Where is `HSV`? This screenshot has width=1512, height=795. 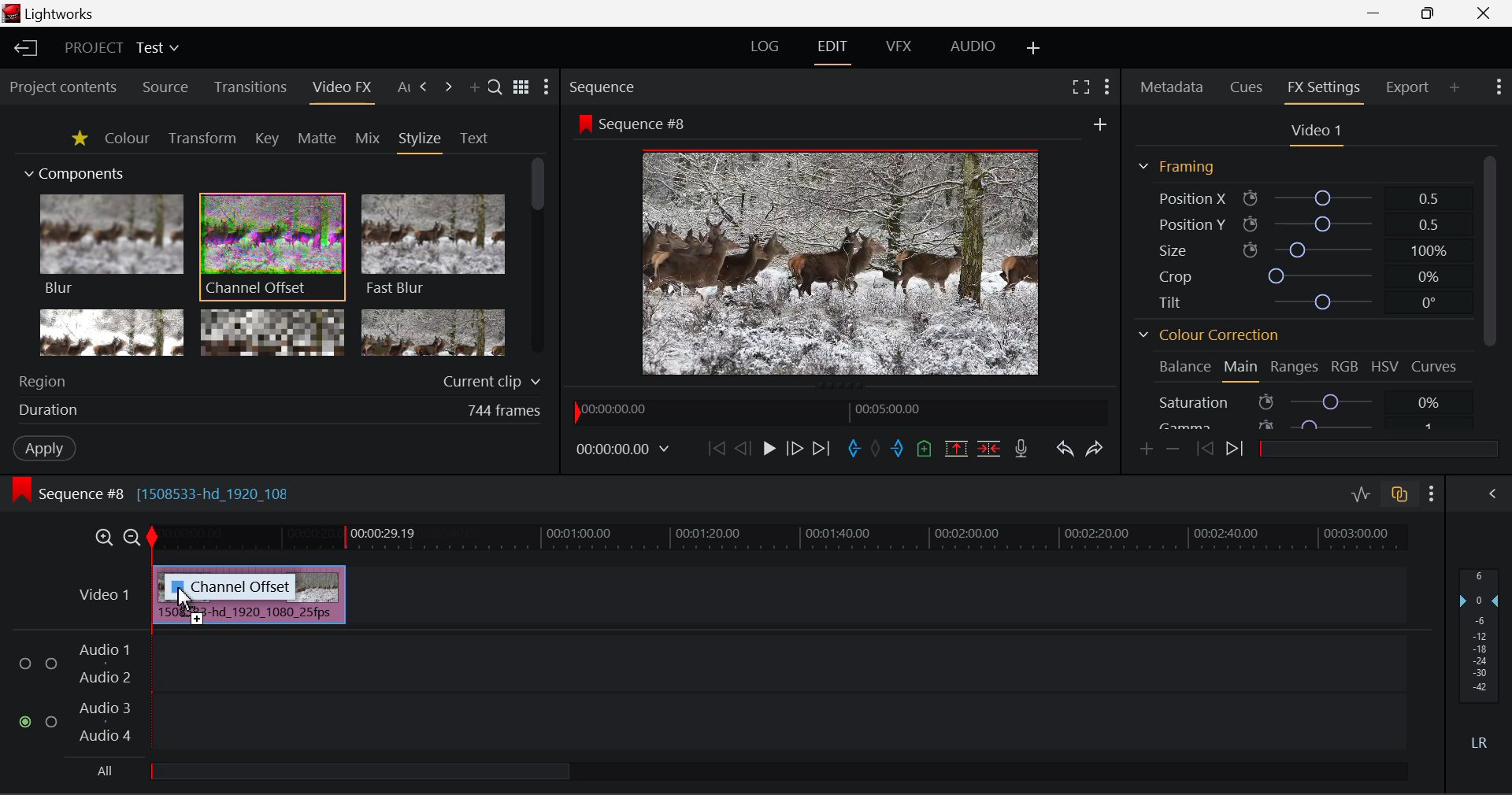
HSV is located at coordinates (1384, 366).